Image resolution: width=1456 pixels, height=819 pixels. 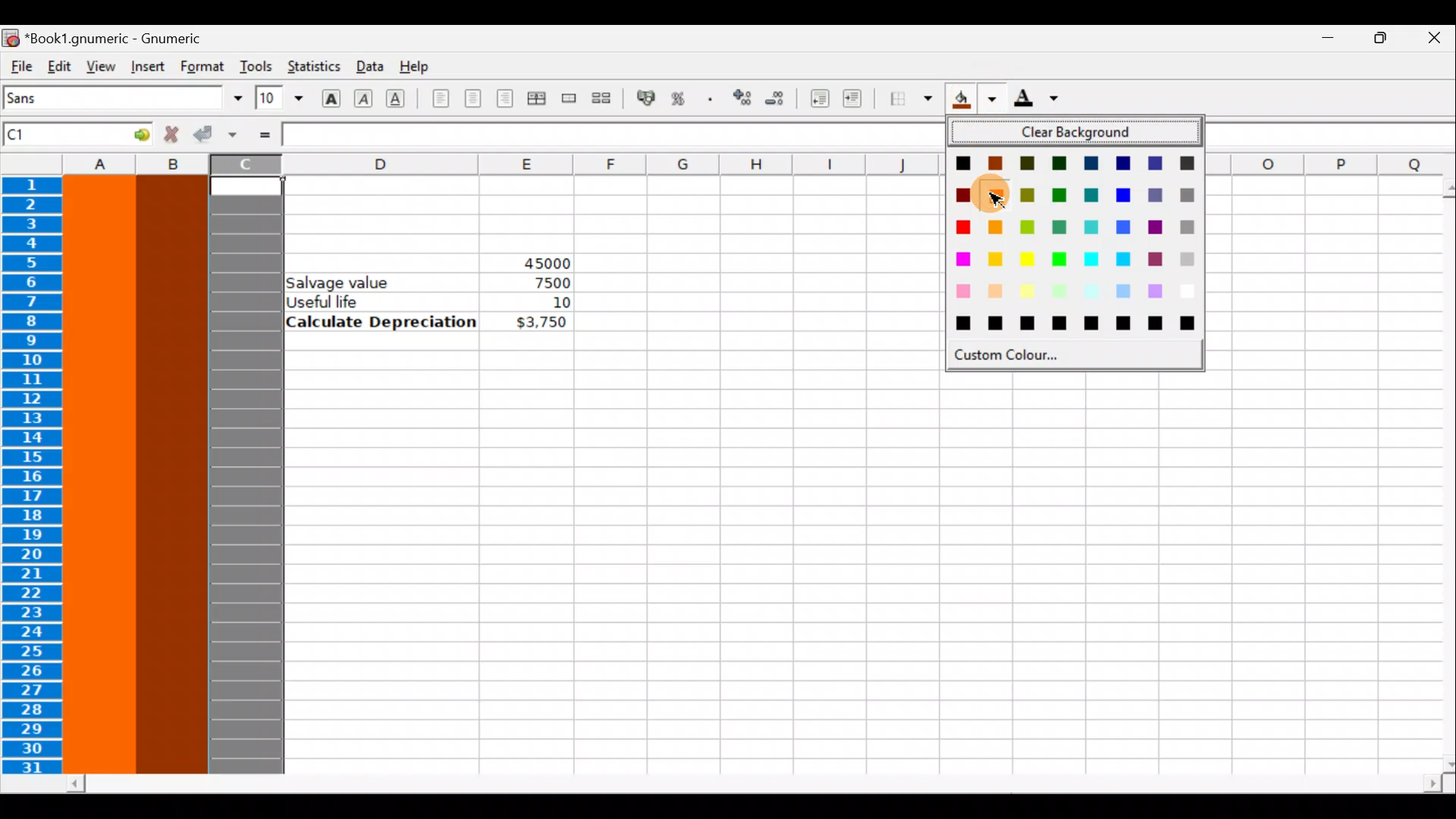 I want to click on Gnumeric logo, so click(x=11, y=37).